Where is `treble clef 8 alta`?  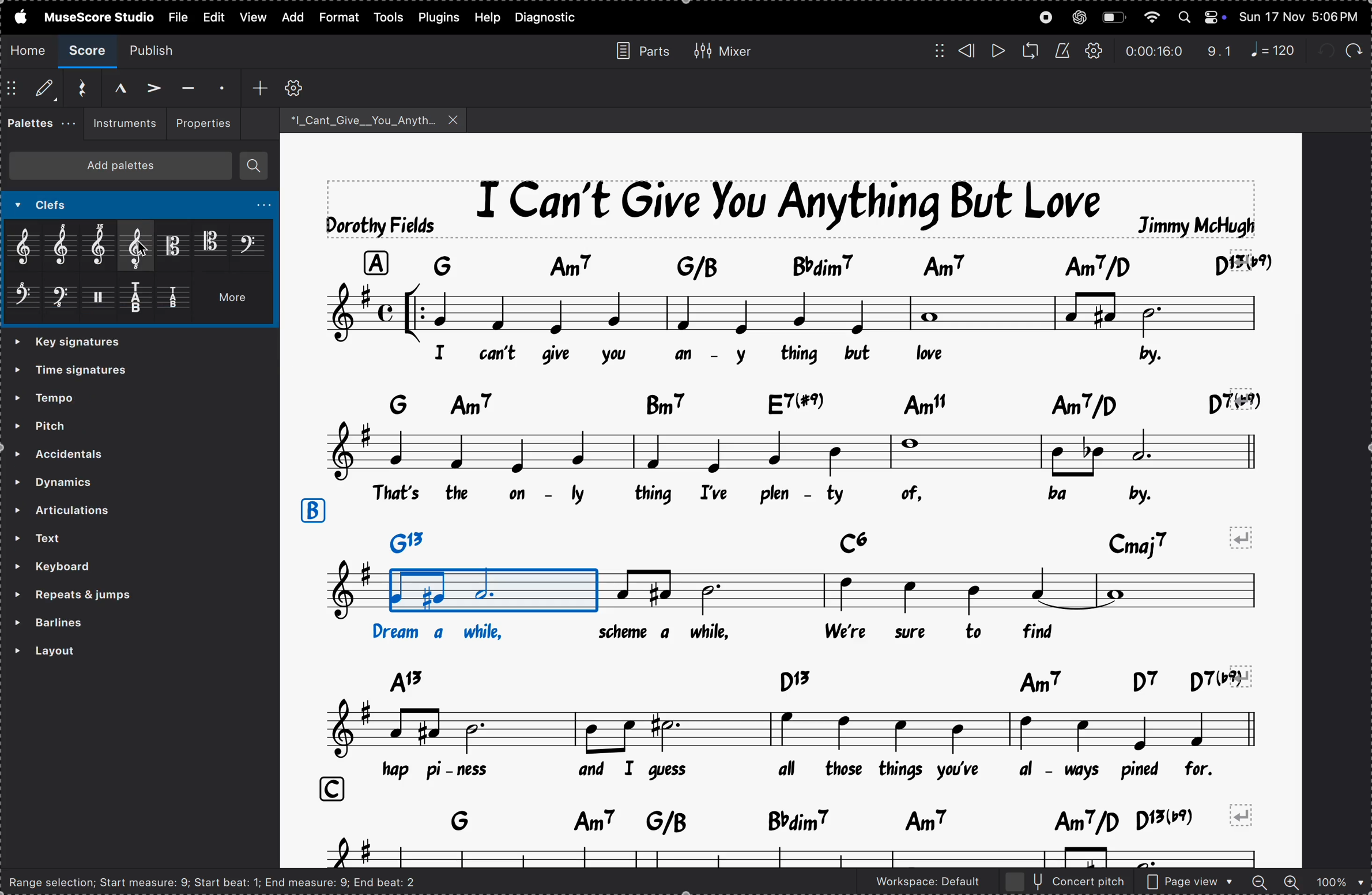
treble clef 8 alta is located at coordinates (66, 246).